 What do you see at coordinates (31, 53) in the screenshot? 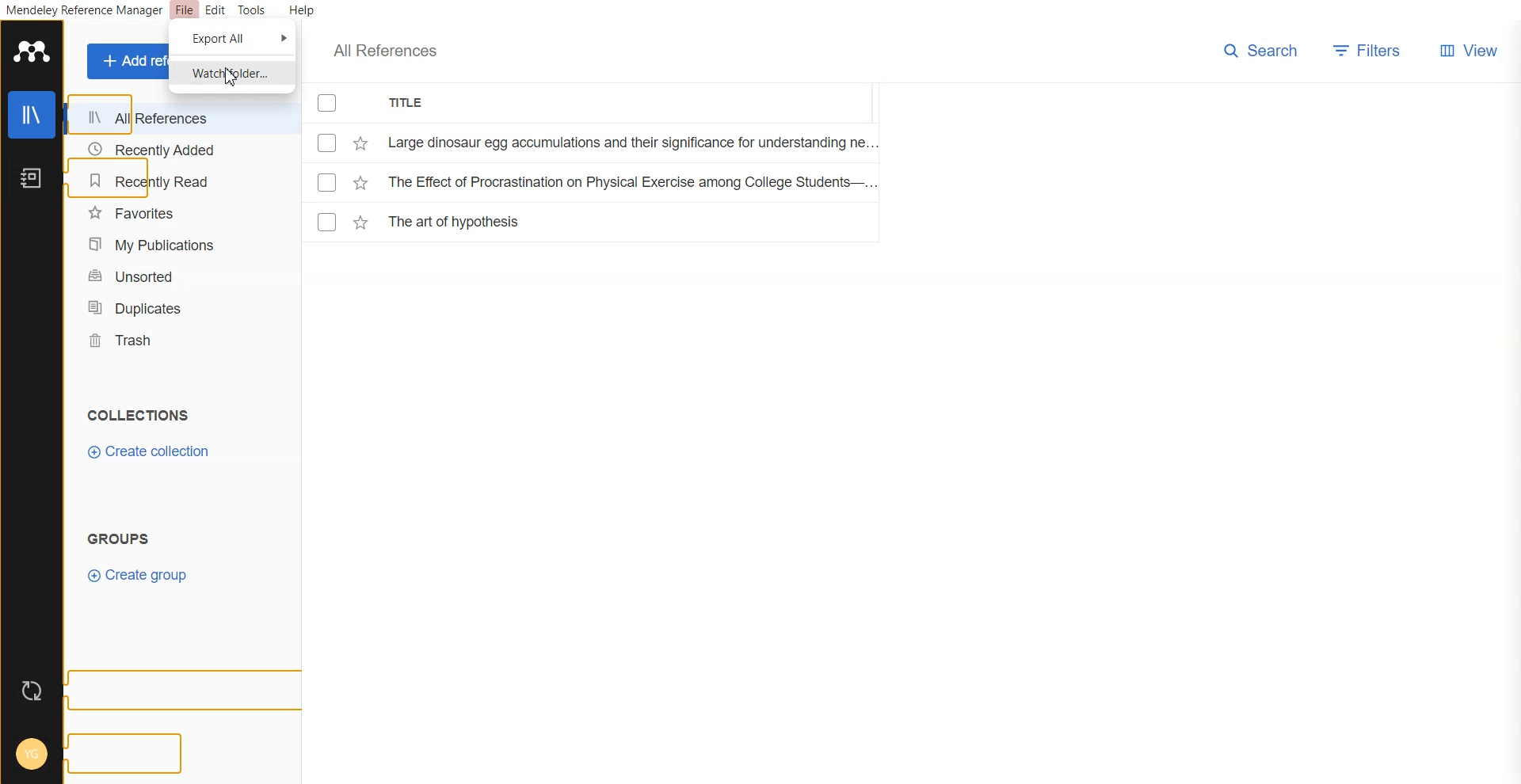
I see `Logo` at bounding box center [31, 53].